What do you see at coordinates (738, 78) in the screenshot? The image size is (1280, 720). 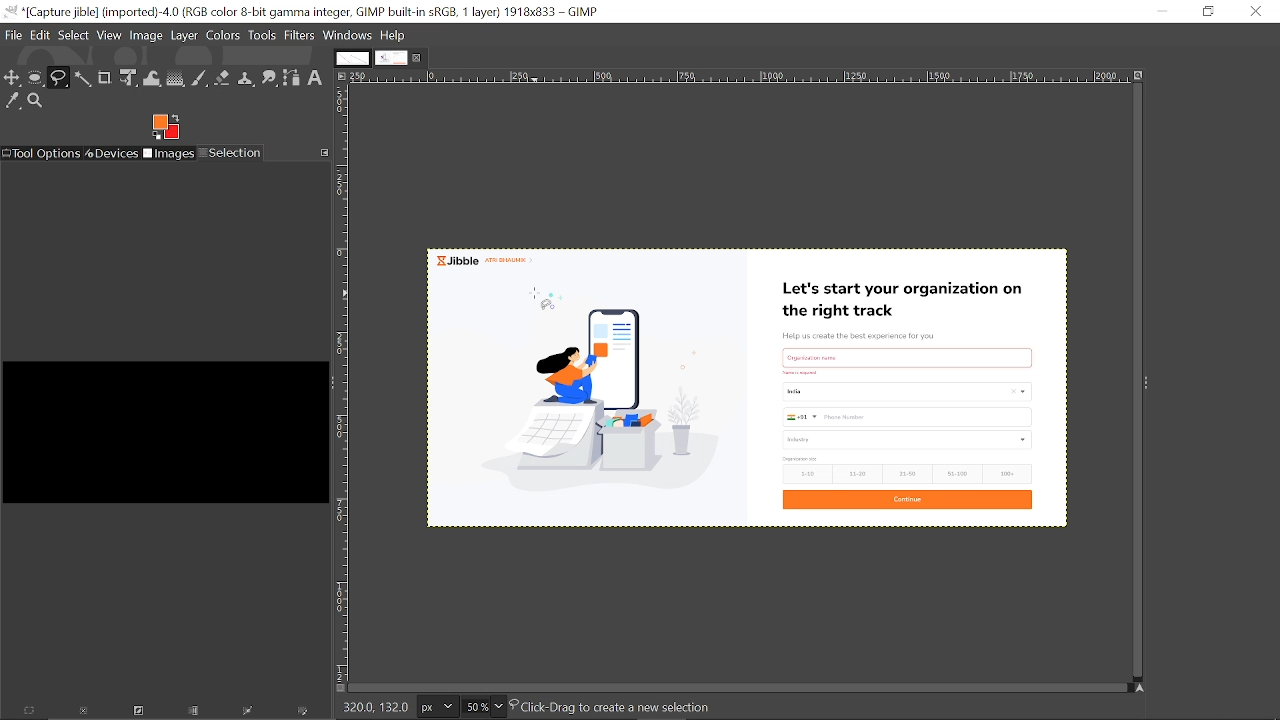 I see `Horizontal label` at bounding box center [738, 78].